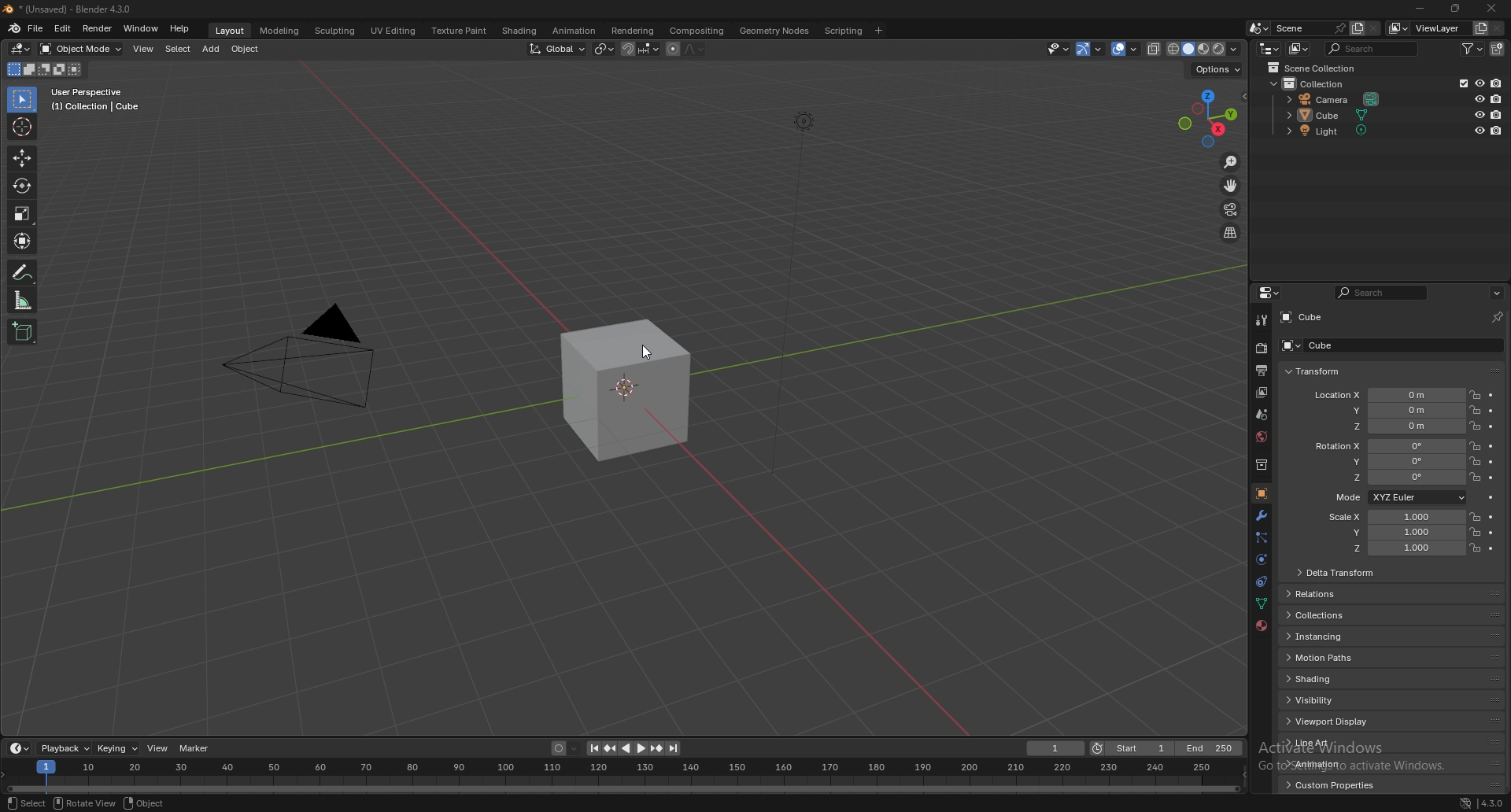 The height and width of the screenshot is (812, 1511). Describe the element at coordinates (1491, 463) in the screenshot. I see `animate property` at that location.